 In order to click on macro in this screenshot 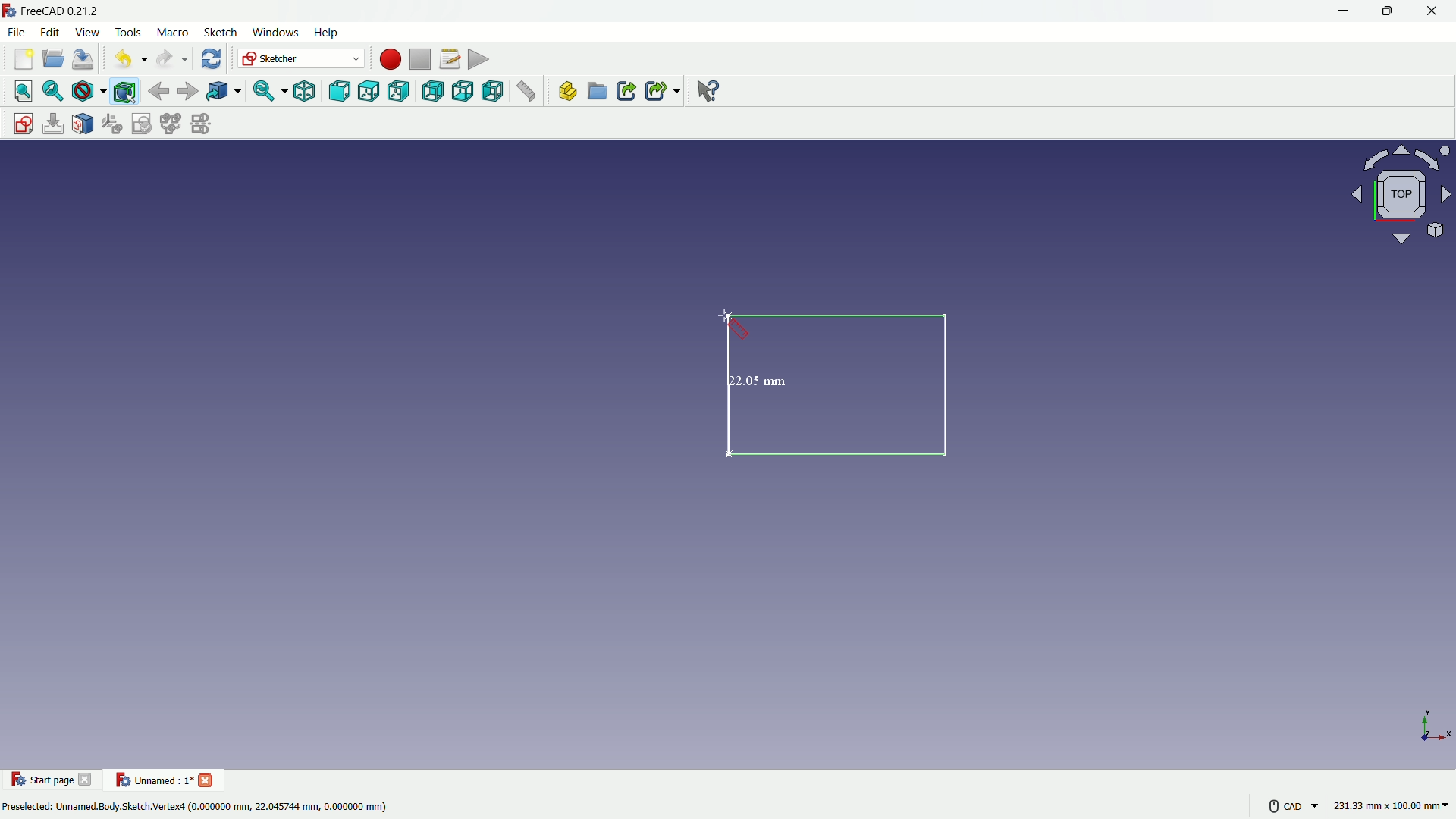, I will do `click(171, 33)`.